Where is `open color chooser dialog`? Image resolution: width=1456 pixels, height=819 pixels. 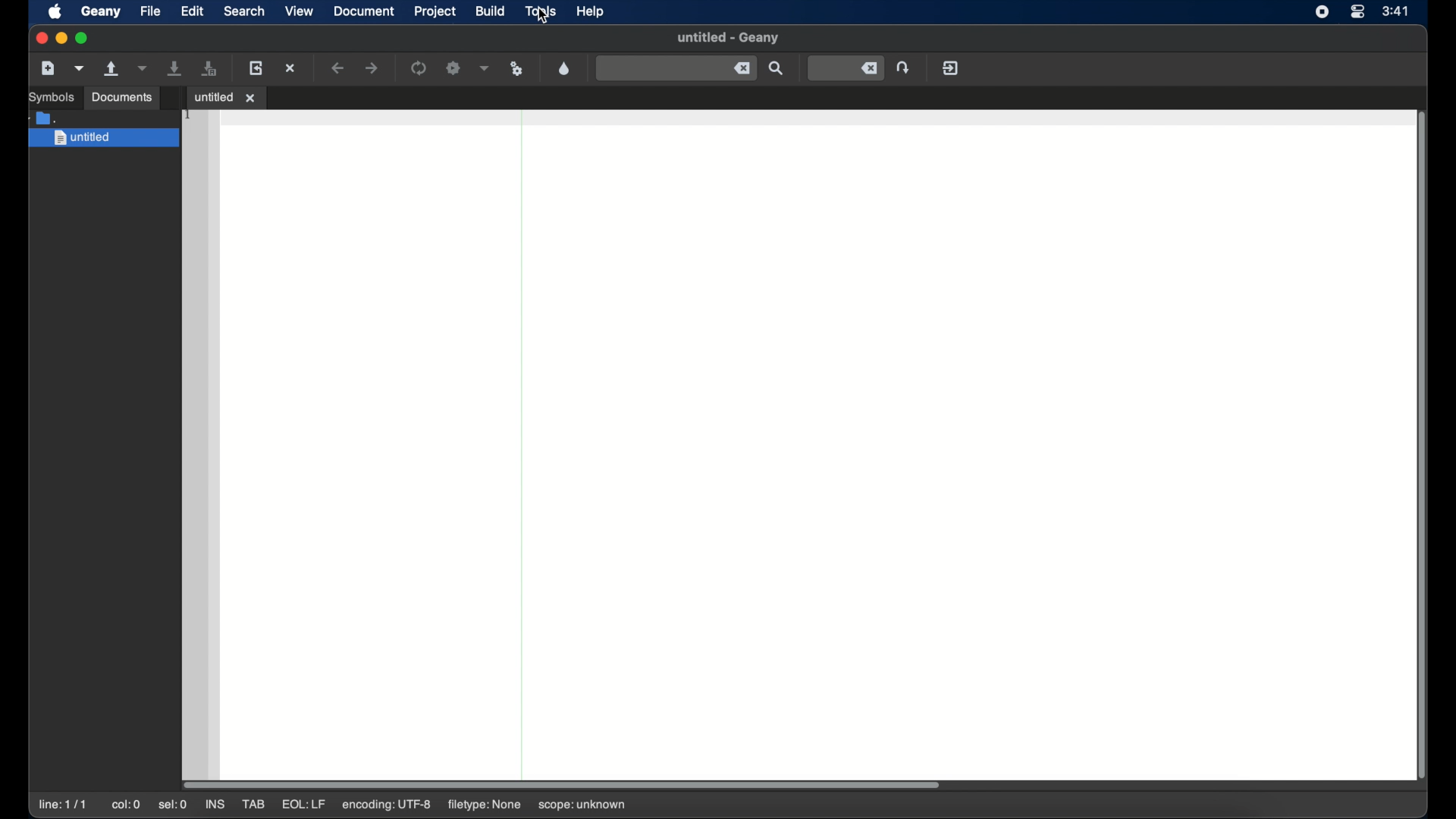
open color chooser dialog is located at coordinates (564, 69).